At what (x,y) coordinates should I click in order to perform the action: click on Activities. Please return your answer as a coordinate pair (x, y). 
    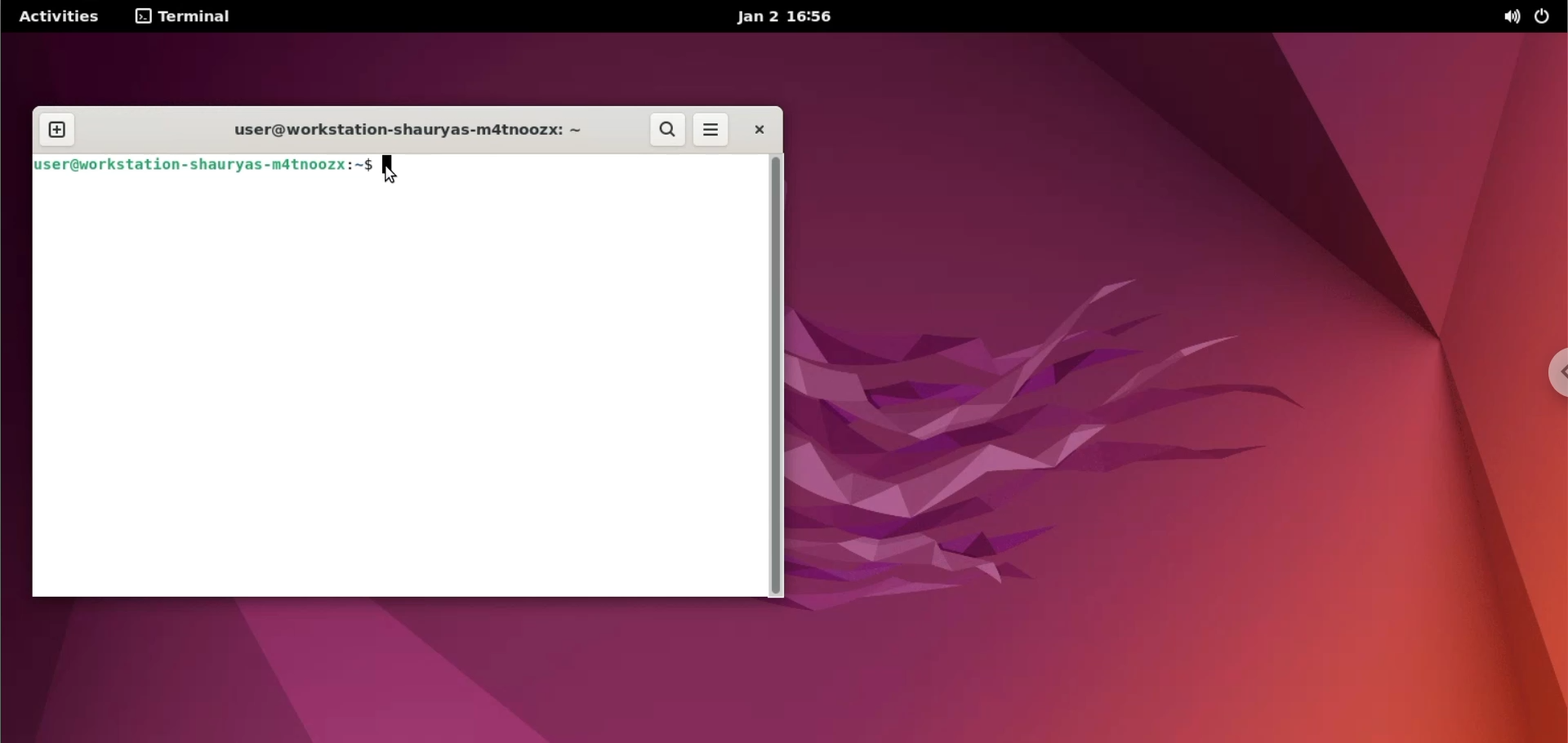
    Looking at the image, I should click on (68, 16).